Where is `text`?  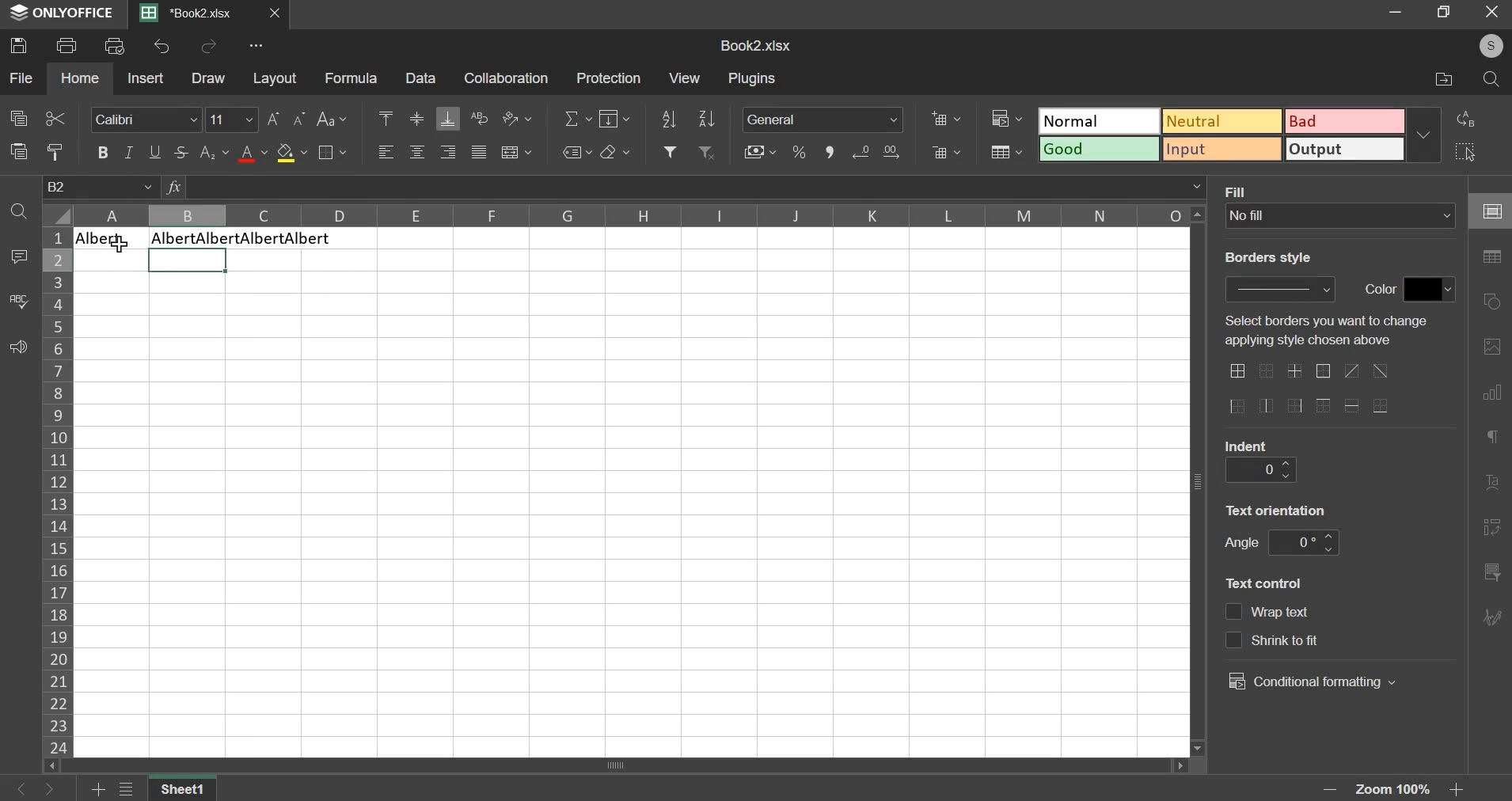 text is located at coordinates (1244, 190).